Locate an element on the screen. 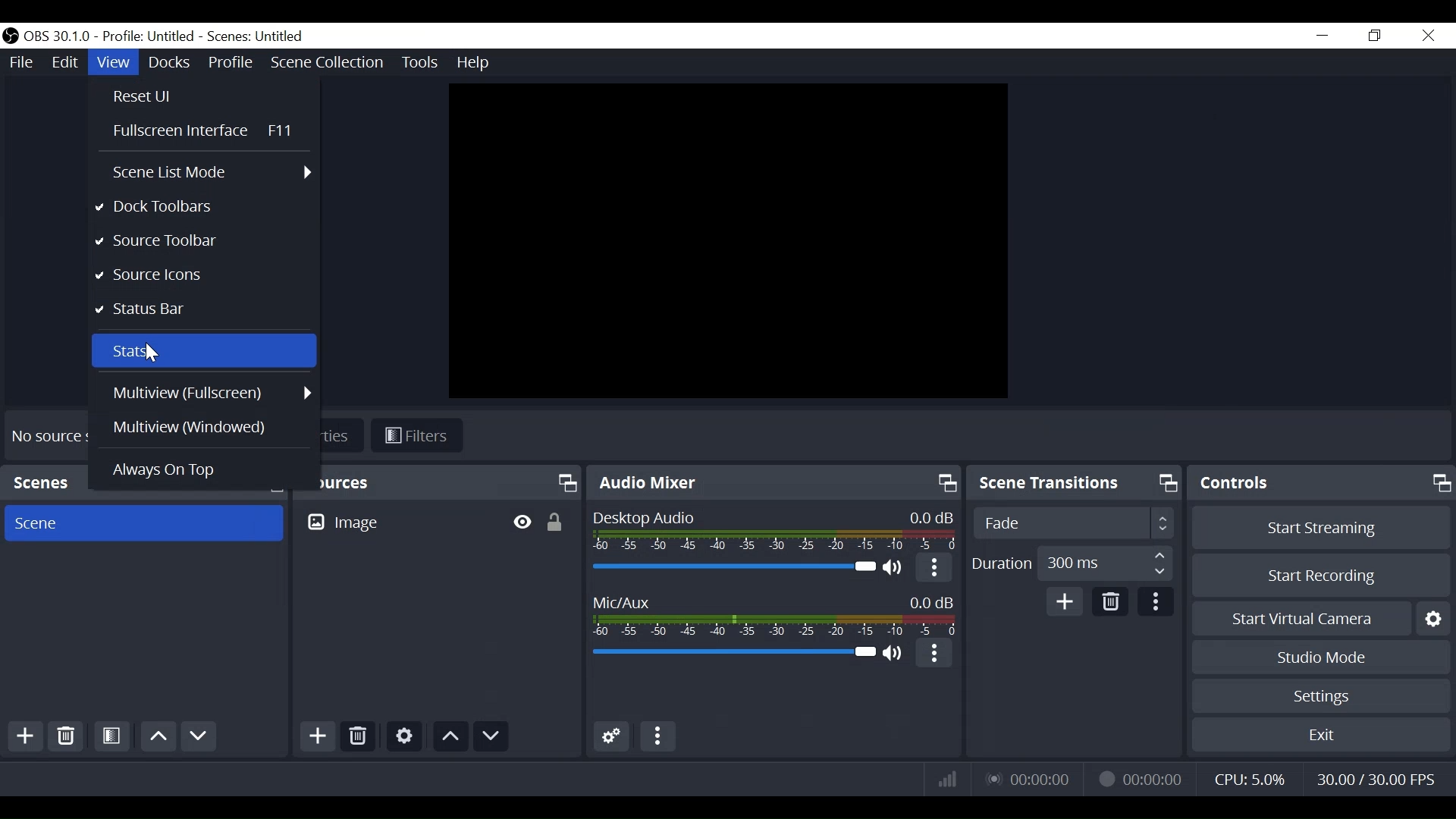  Image is located at coordinates (344, 522).